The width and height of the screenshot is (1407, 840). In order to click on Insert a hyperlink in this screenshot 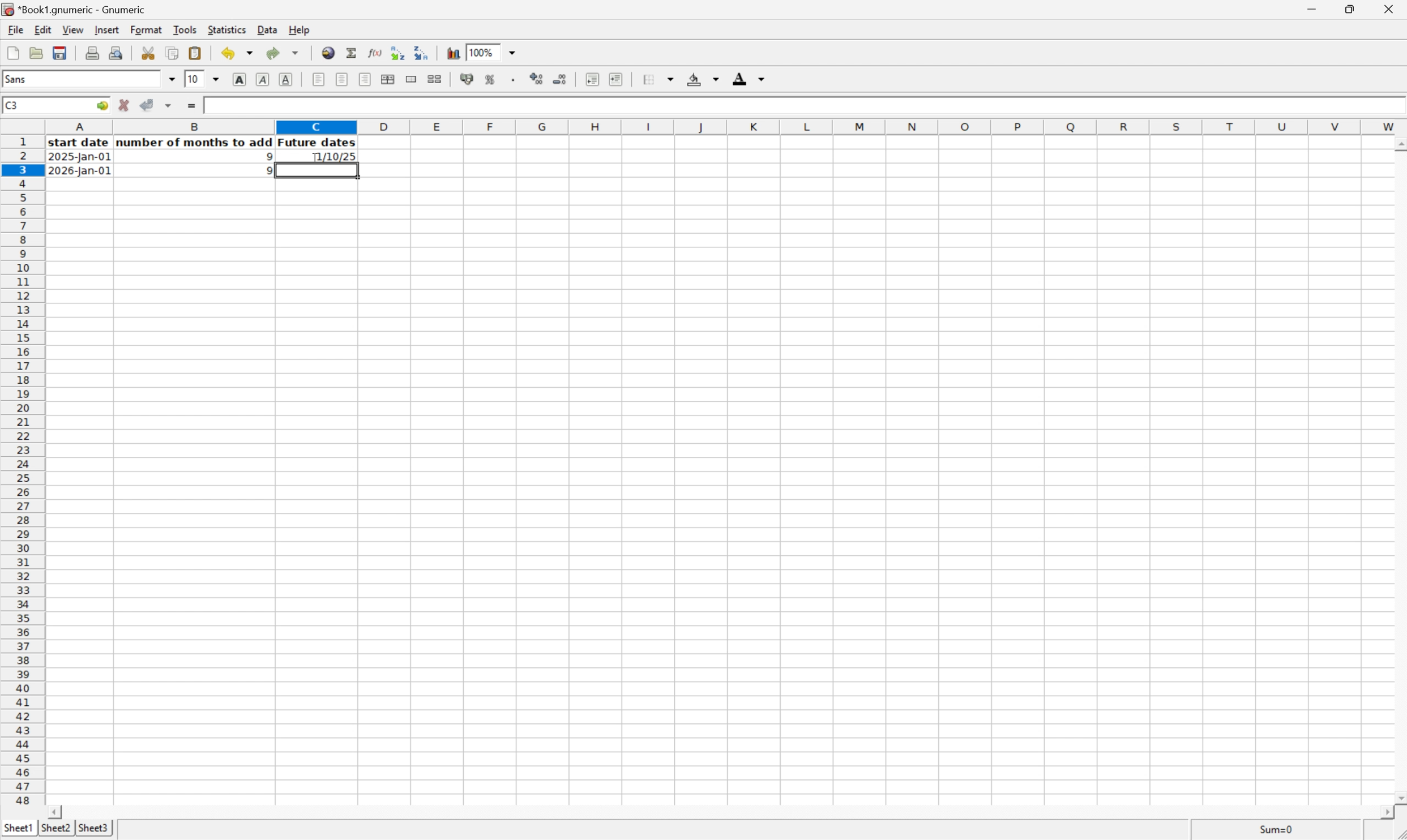, I will do `click(329, 52)`.